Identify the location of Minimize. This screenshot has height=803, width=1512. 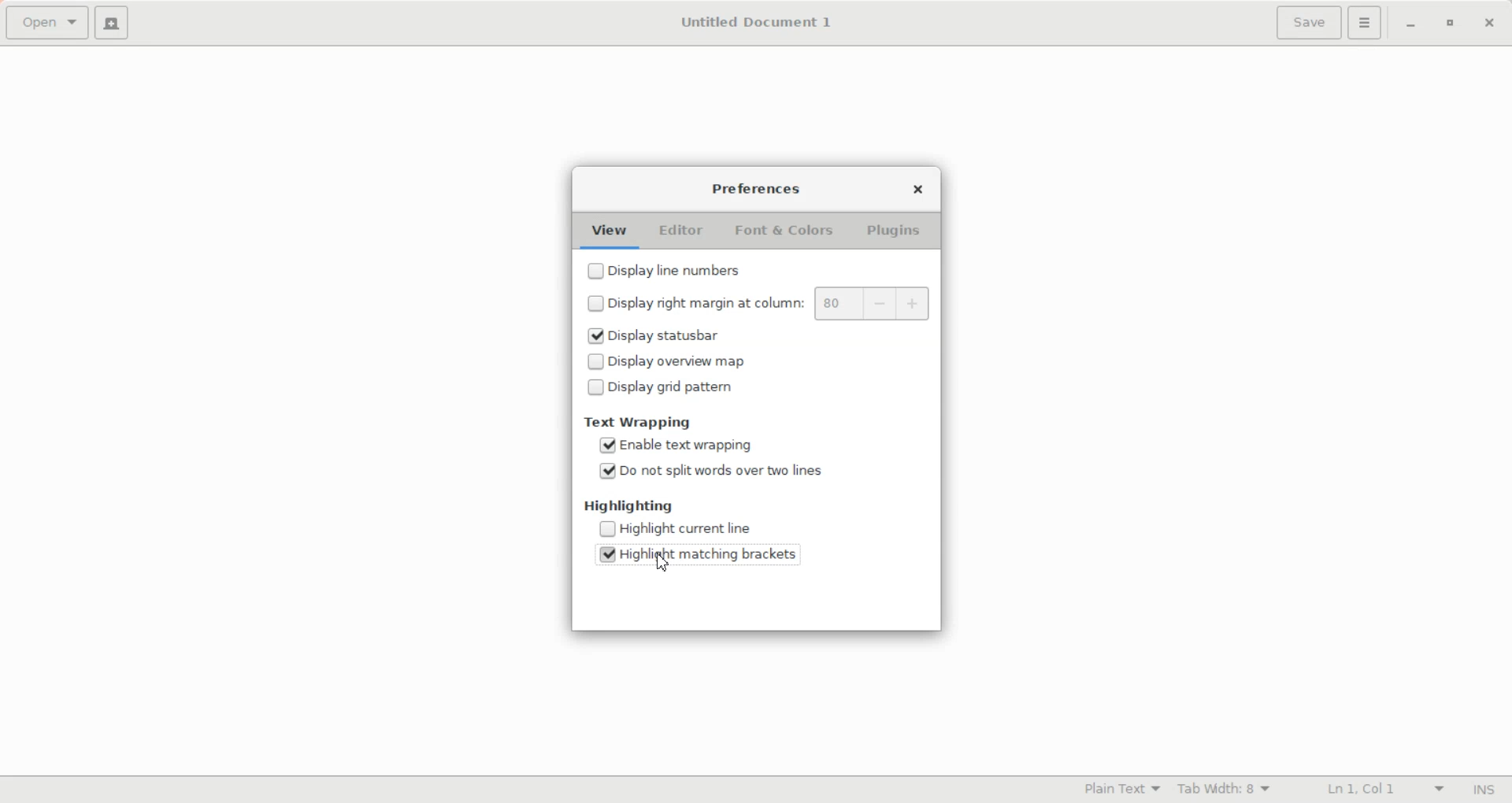
(1411, 25).